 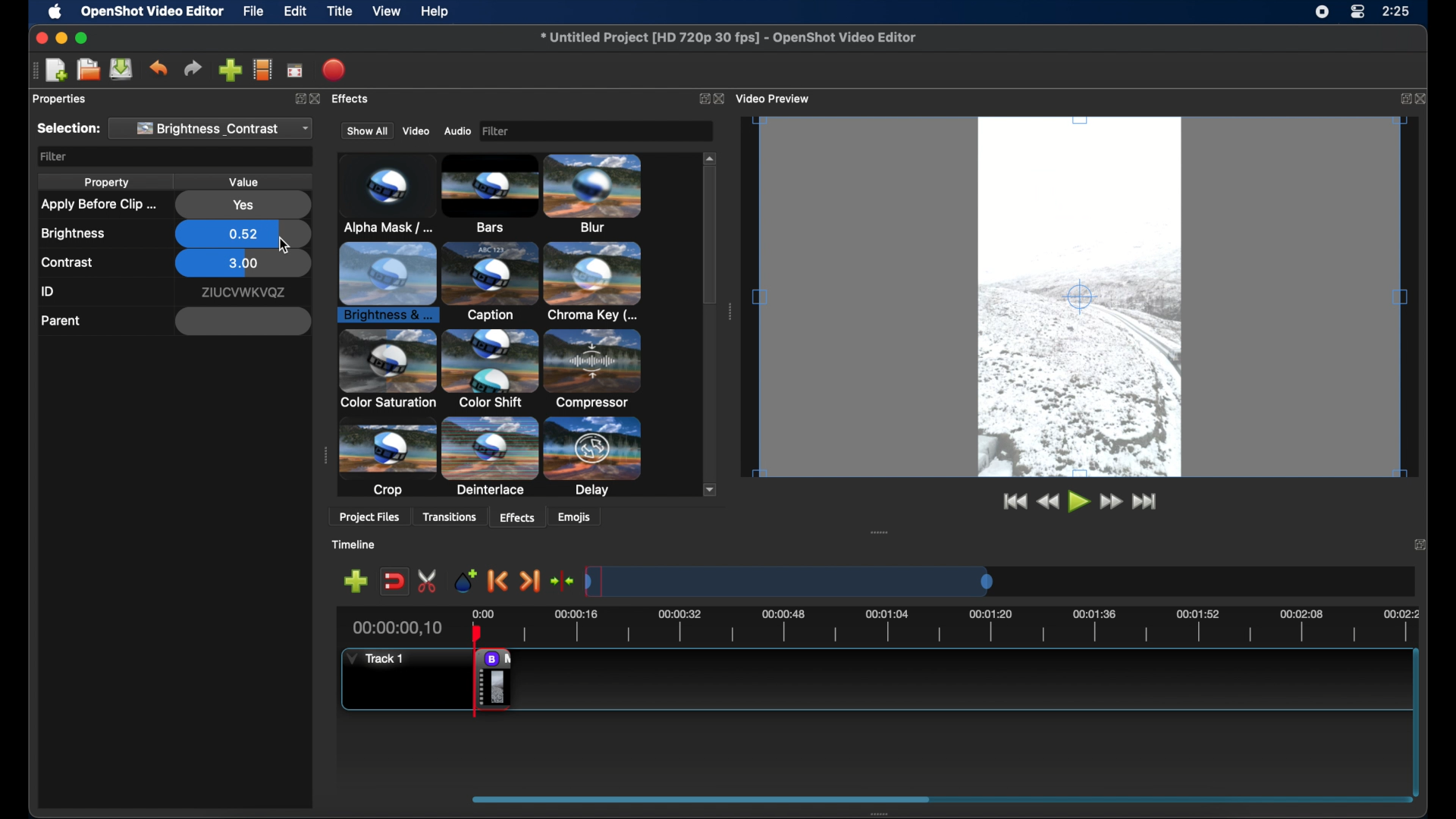 What do you see at coordinates (397, 628) in the screenshot?
I see `00:00:00,10` at bounding box center [397, 628].